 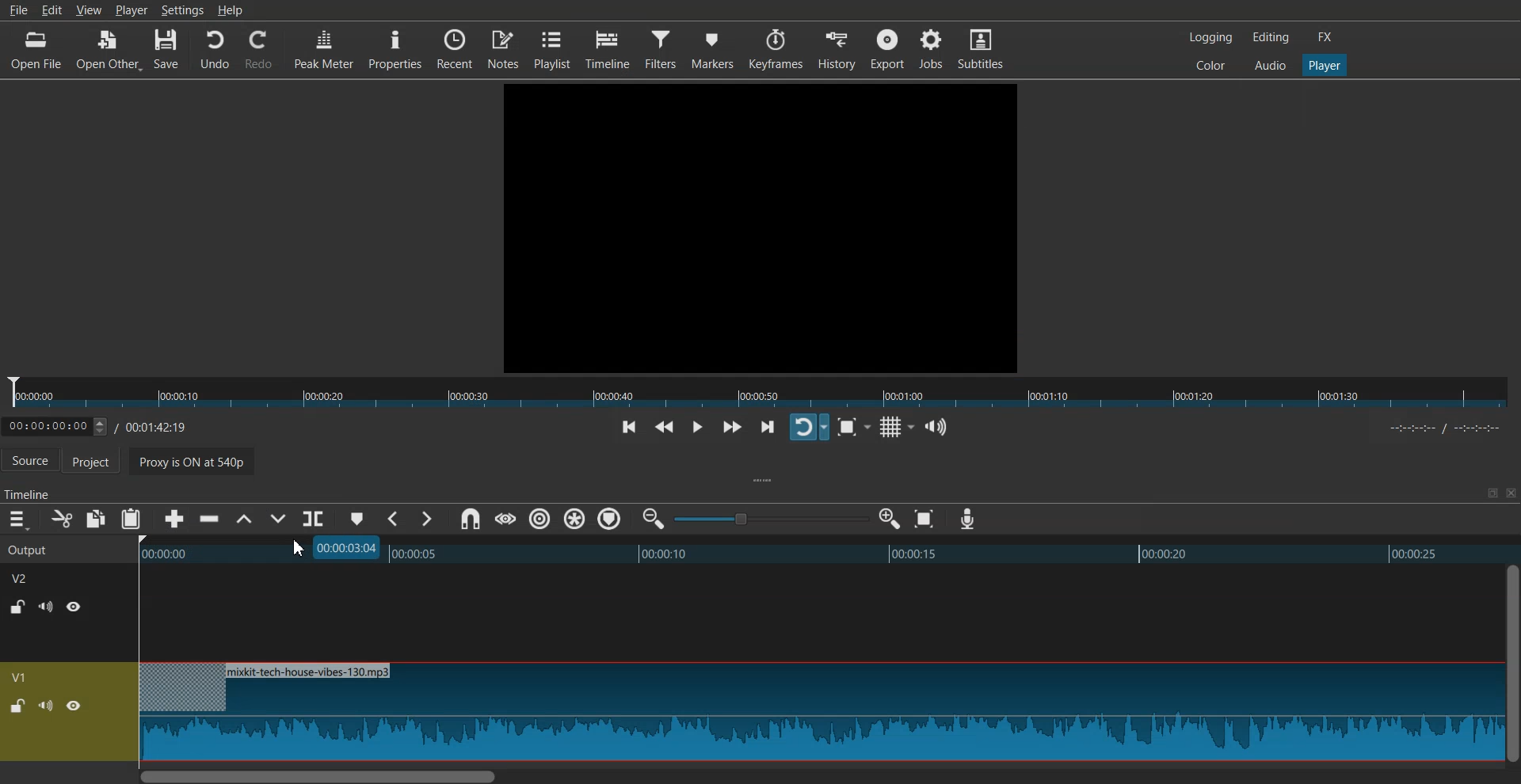 I want to click on Hide, so click(x=74, y=606).